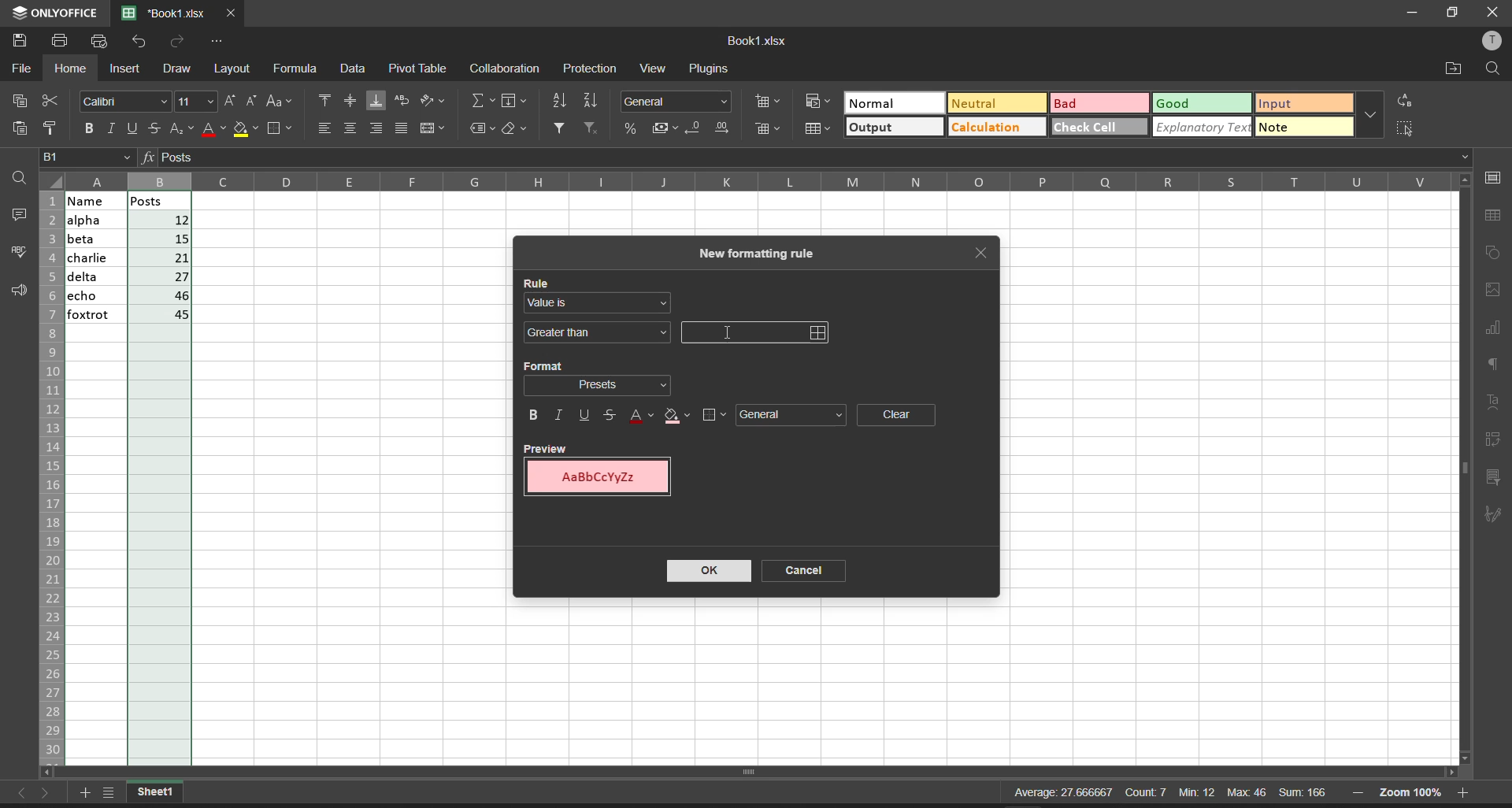 This screenshot has width=1512, height=808. What do you see at coordinates (506, 69) in the screenshot?
I see `collaboration` at bounding box center [506, 69].